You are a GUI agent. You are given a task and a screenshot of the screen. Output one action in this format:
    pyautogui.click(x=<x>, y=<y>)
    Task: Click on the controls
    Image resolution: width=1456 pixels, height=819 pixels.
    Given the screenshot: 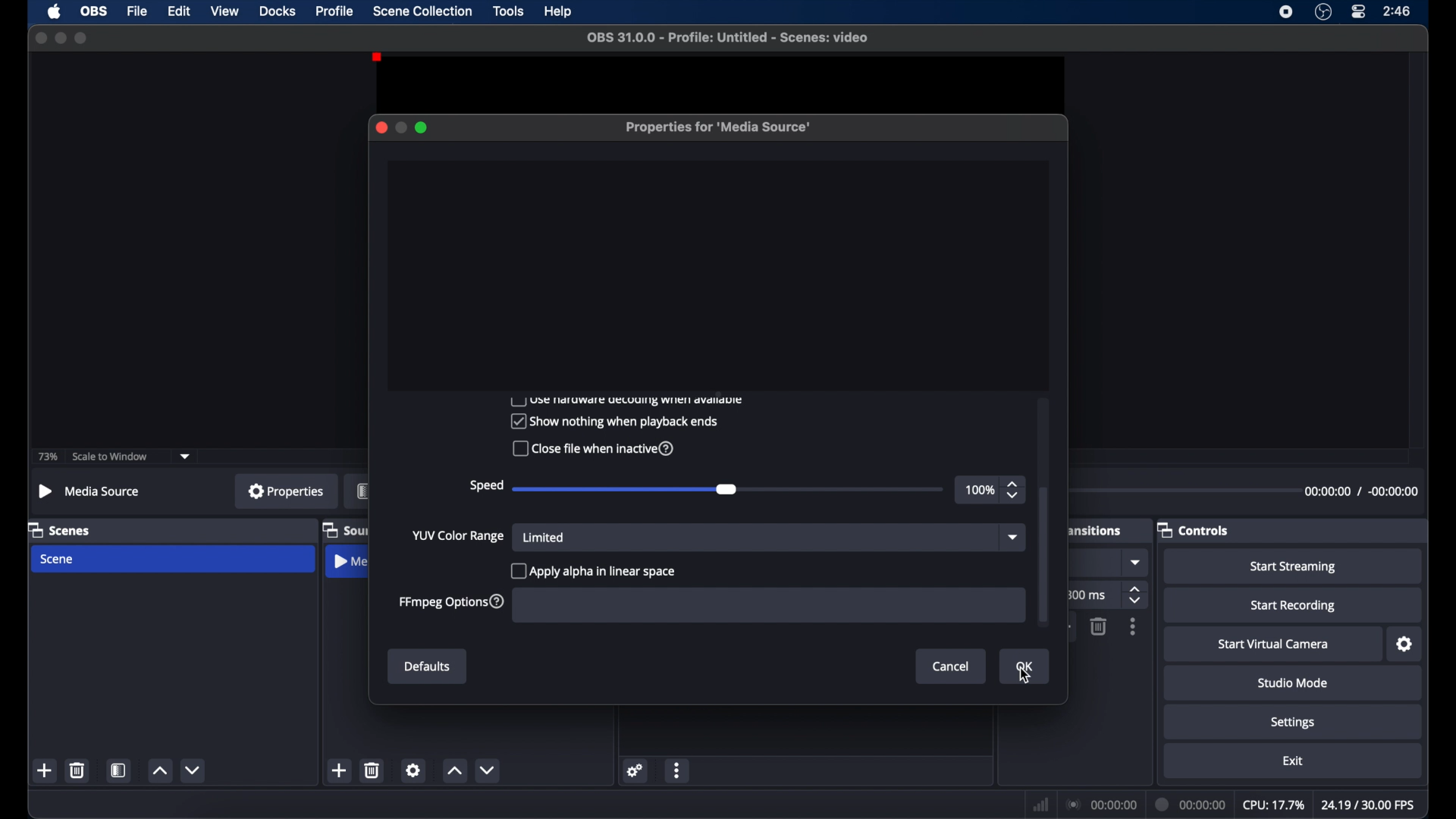 What is the action you would take?
    pyautogui.click(x=1194, y=529)
    